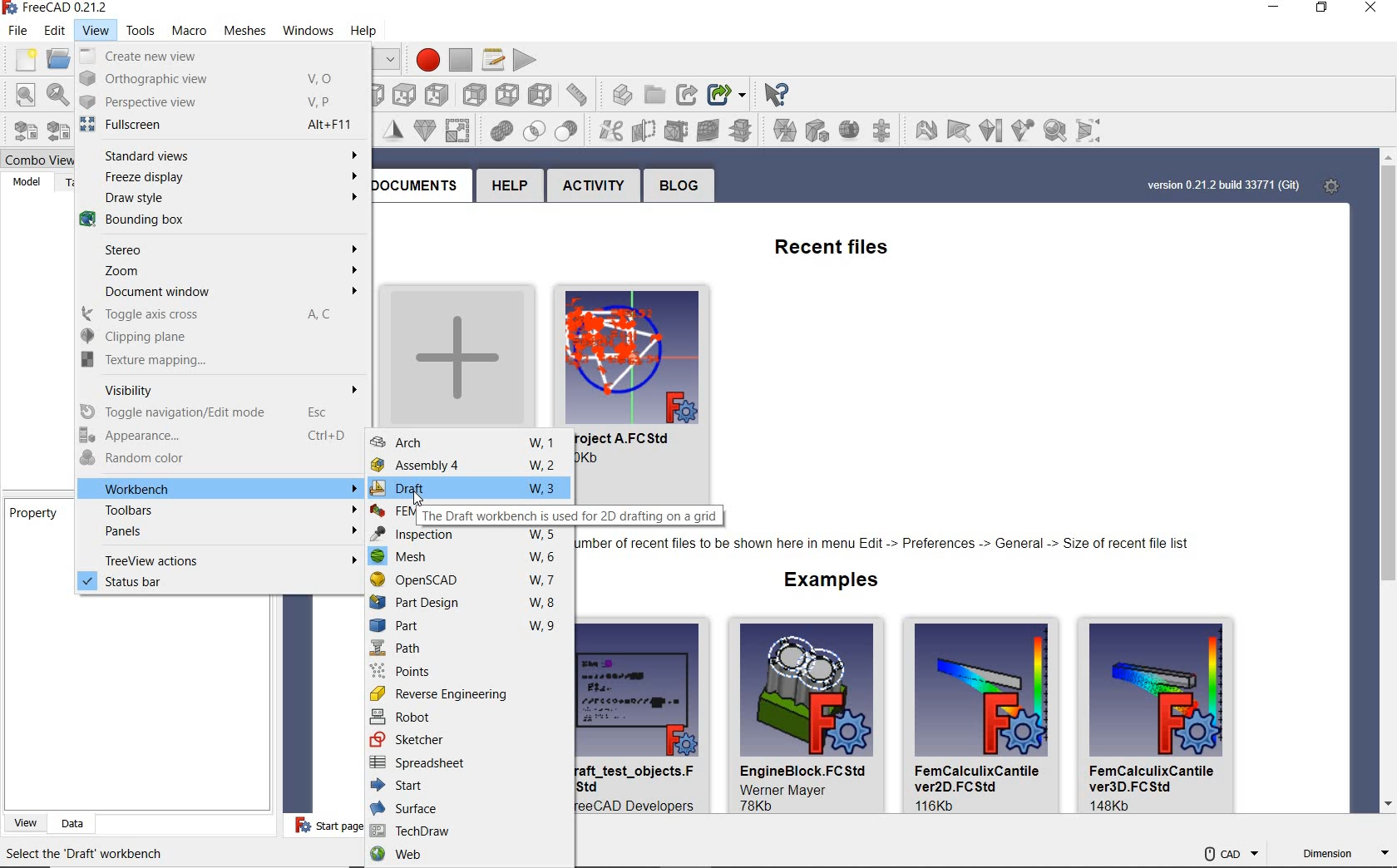 Image resolution: width=1397 pixels, height=868 pixels. Describe the element at coordinates (653, 390) in the screenshot. I see `recent project` at that location.